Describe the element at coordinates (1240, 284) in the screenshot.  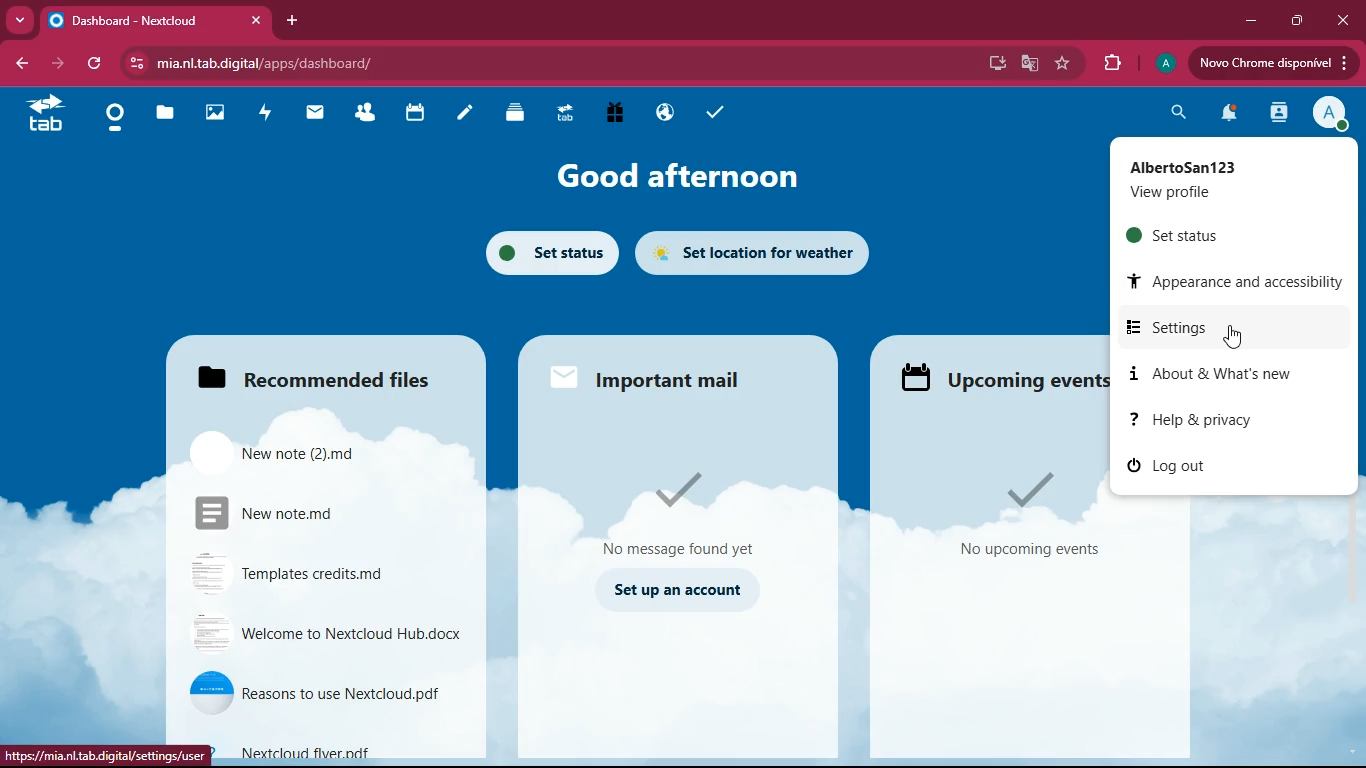
I see `appearance` at that location.